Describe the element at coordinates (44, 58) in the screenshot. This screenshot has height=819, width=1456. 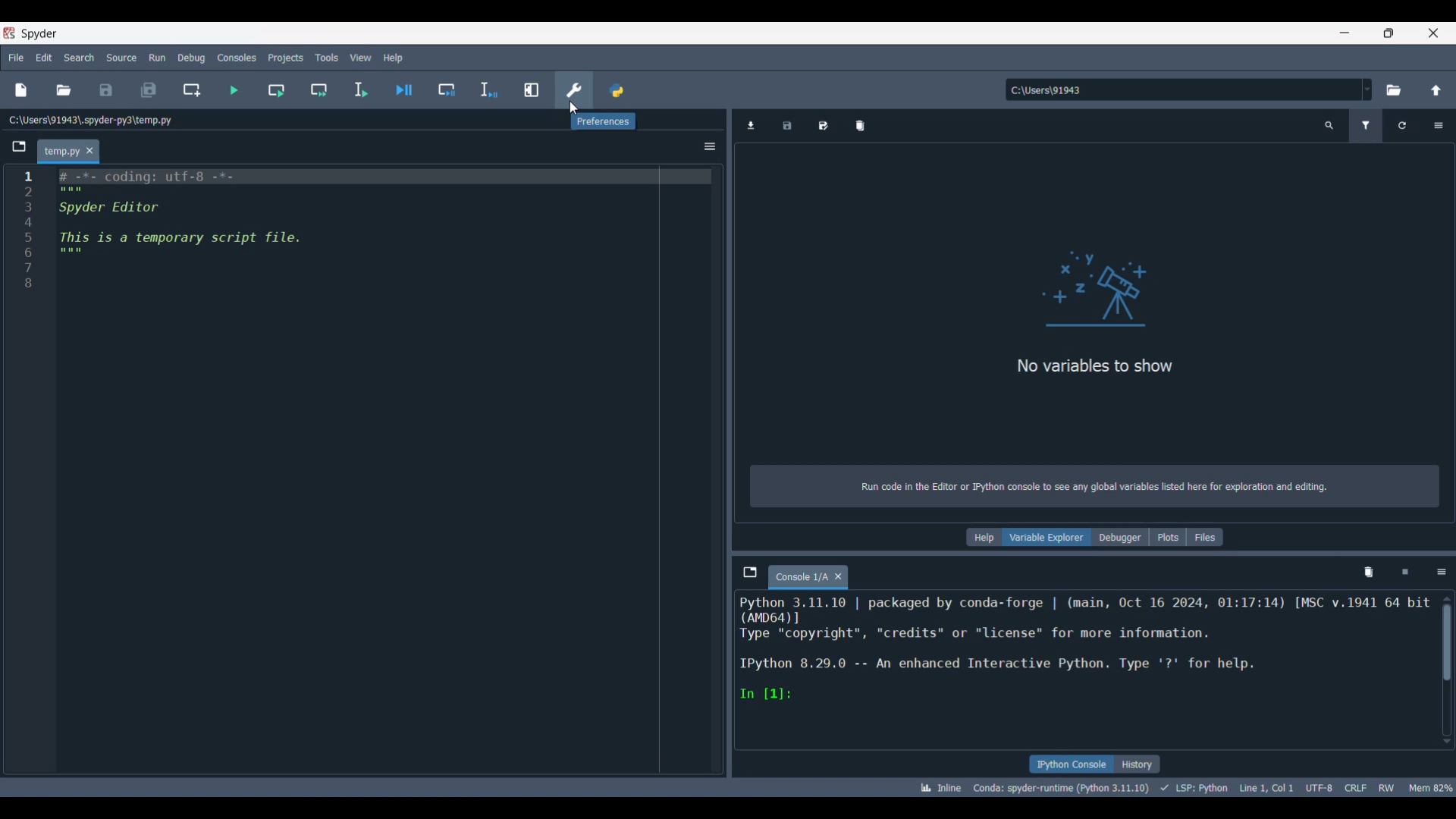
I see `Edit menu` at that location.